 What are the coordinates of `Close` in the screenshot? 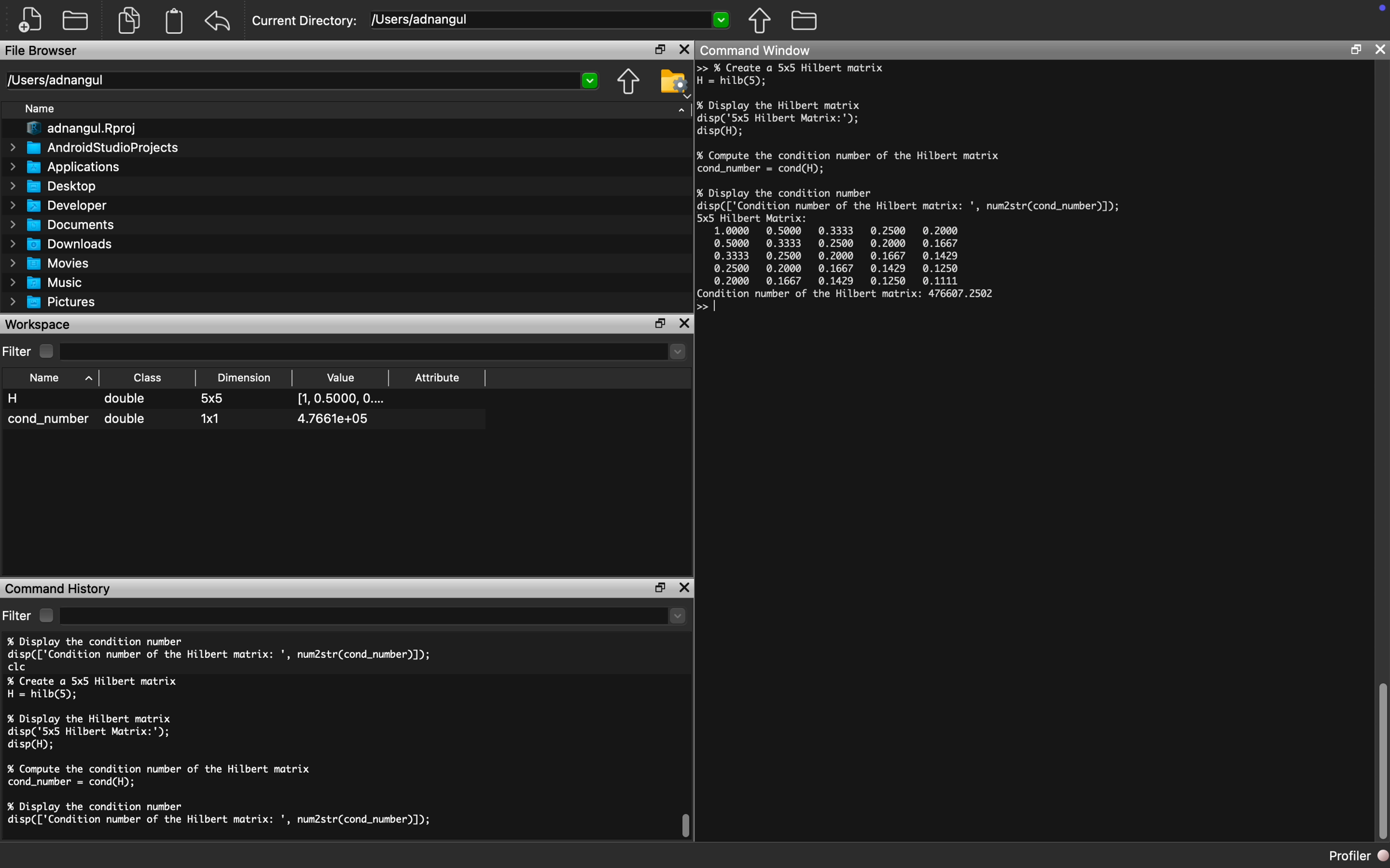 It's located at (684, 323).